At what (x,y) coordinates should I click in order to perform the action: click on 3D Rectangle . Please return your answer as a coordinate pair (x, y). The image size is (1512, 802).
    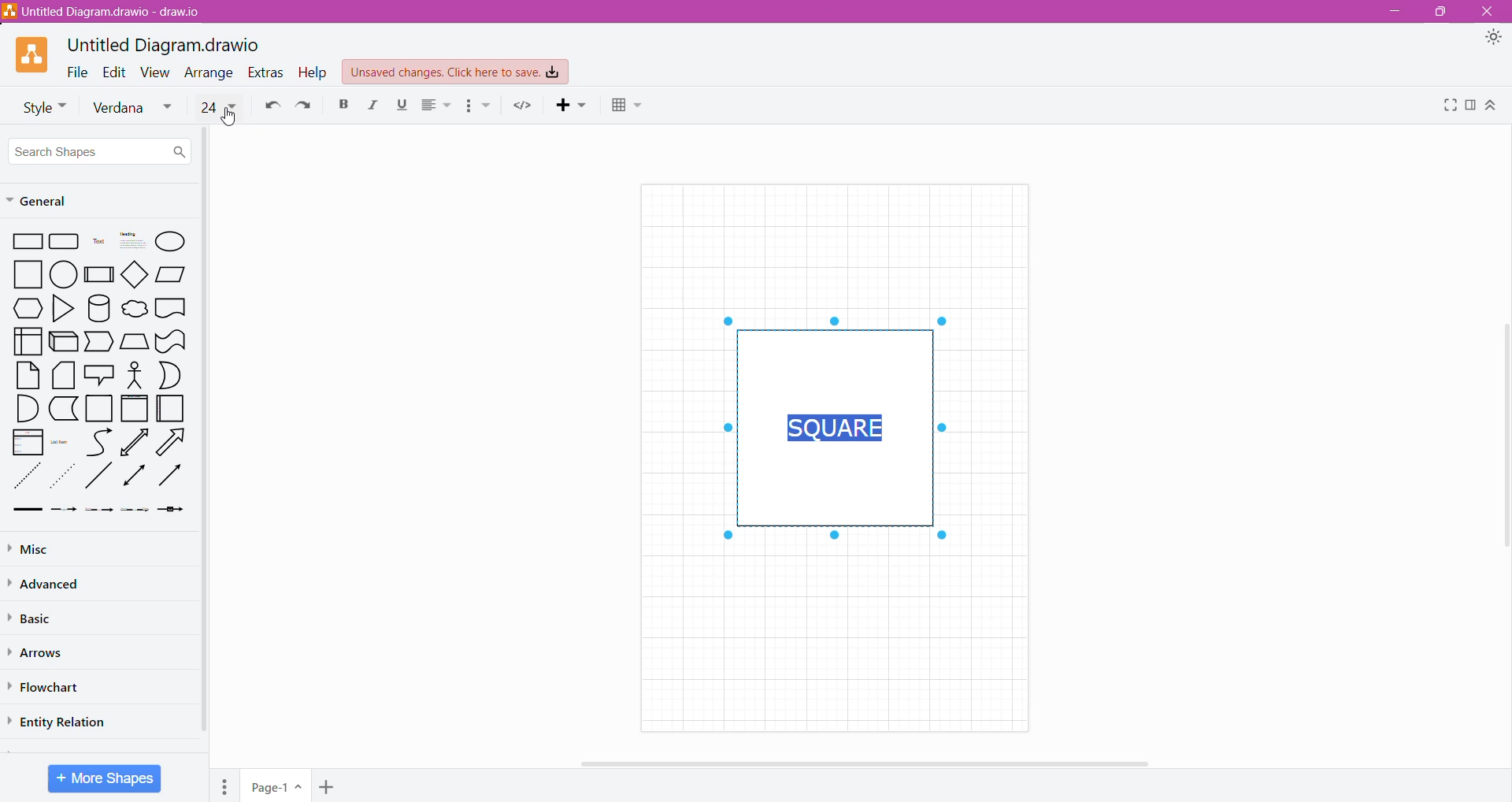
    Looking at the image, I should click on (63, 343).